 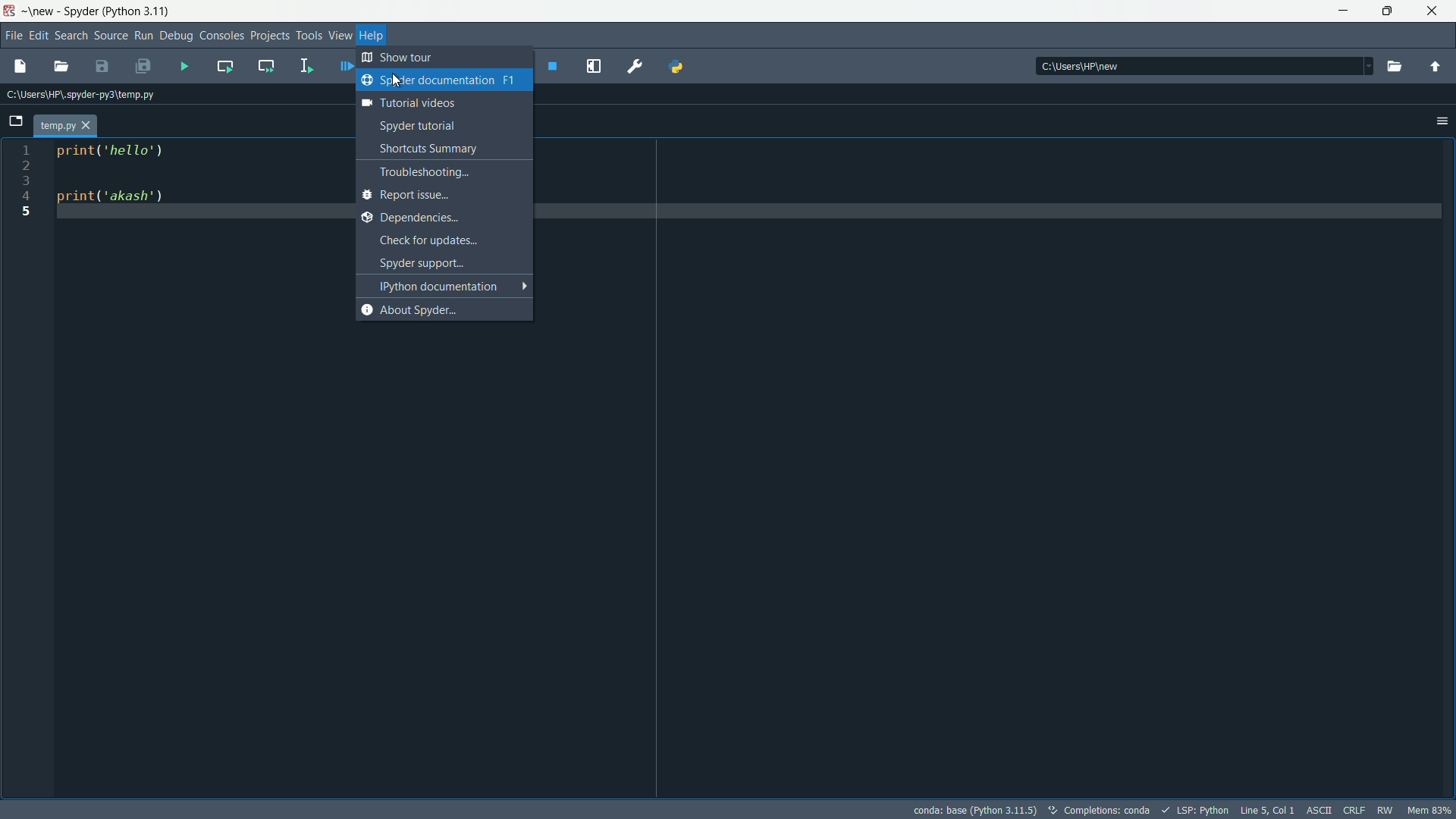 I want to click on view menu, so click(x=339, y=36).